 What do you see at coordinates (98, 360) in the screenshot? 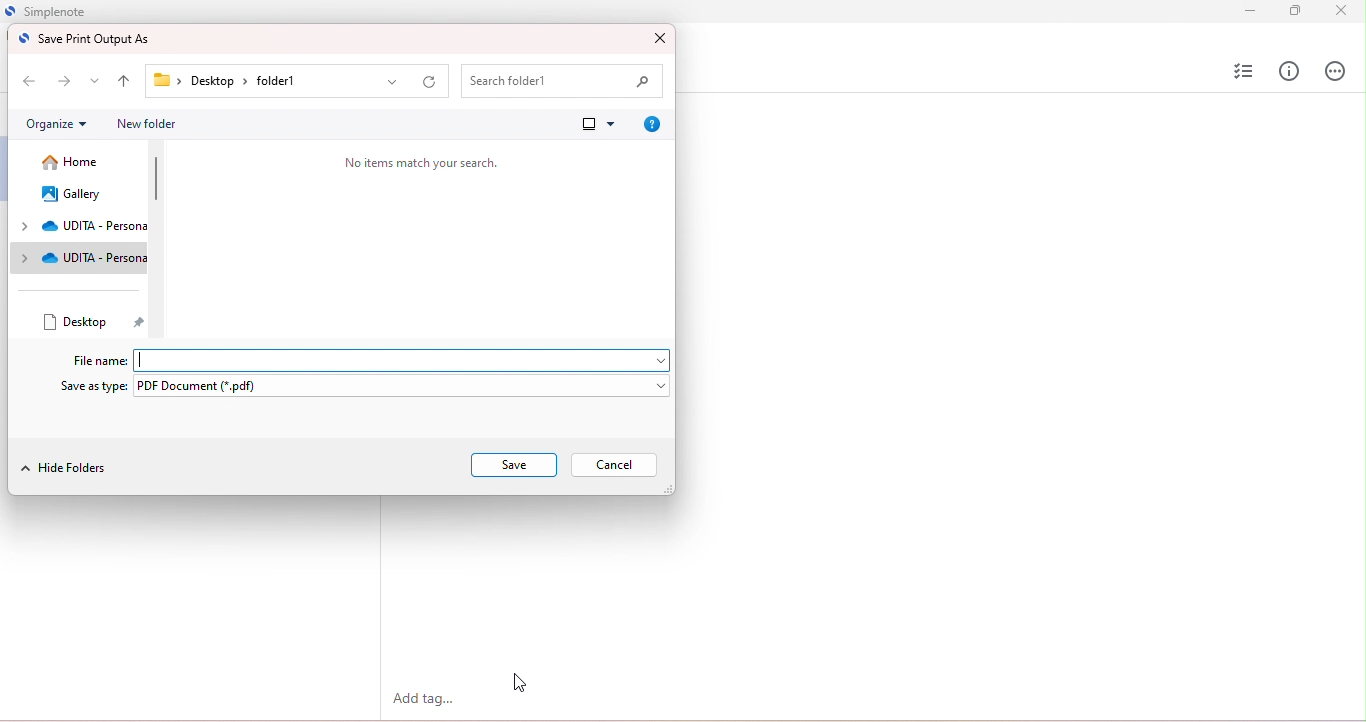
I see `file name` at bounding box center [98, 360].